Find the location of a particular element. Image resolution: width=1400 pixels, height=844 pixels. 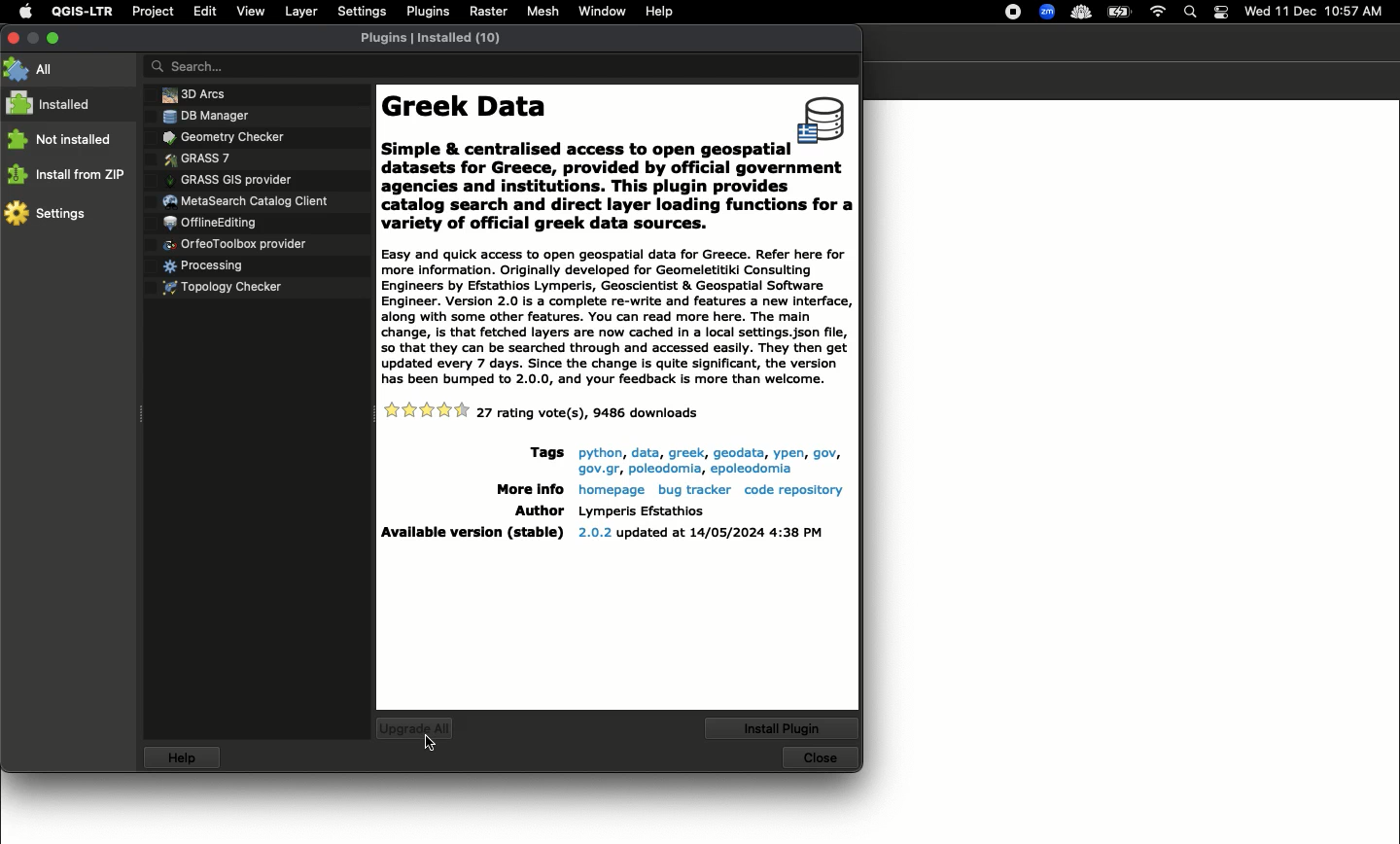

Processing is located at coordinates (200, 267).